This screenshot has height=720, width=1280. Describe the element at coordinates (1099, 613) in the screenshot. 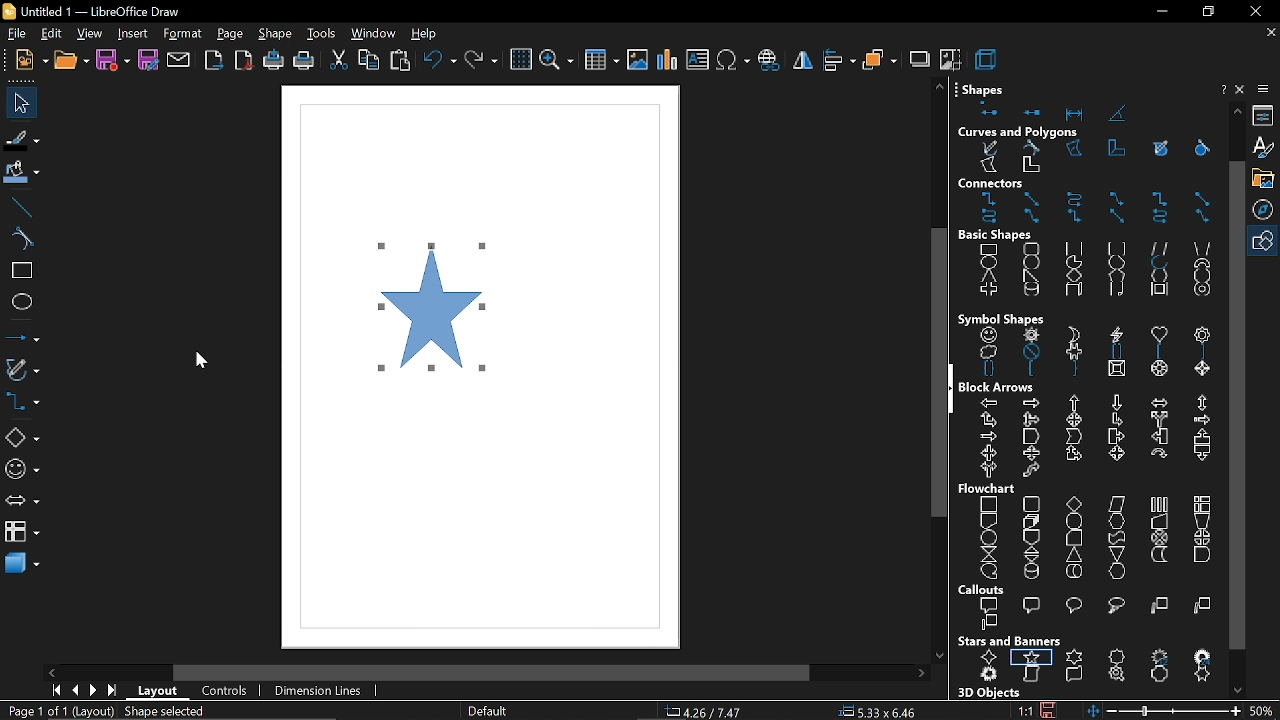

I see `callouts` at that location.